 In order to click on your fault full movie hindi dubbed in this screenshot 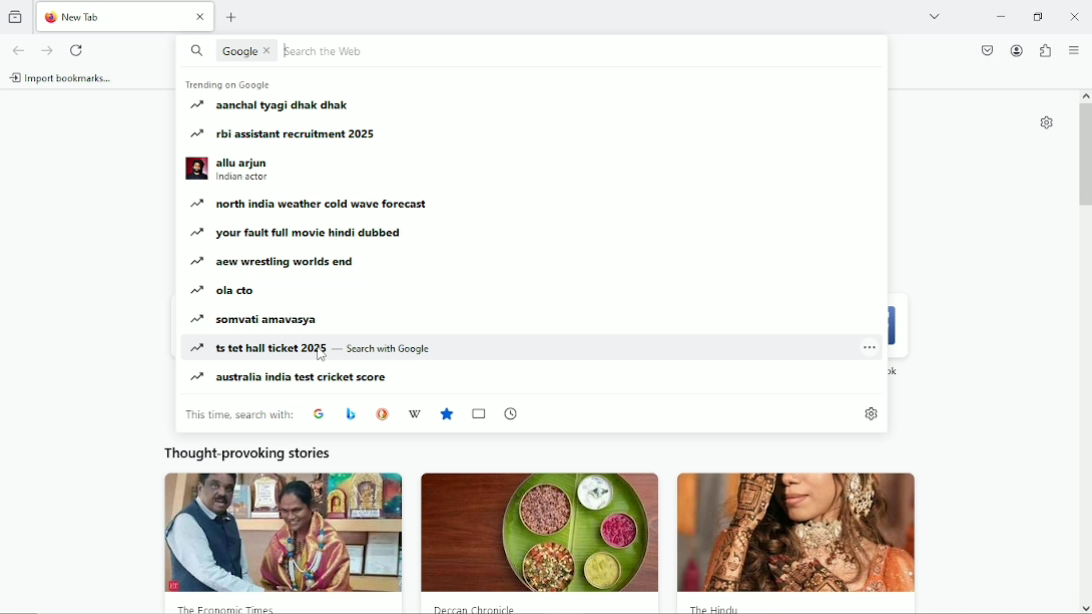, I will do `click(299, 233)`.